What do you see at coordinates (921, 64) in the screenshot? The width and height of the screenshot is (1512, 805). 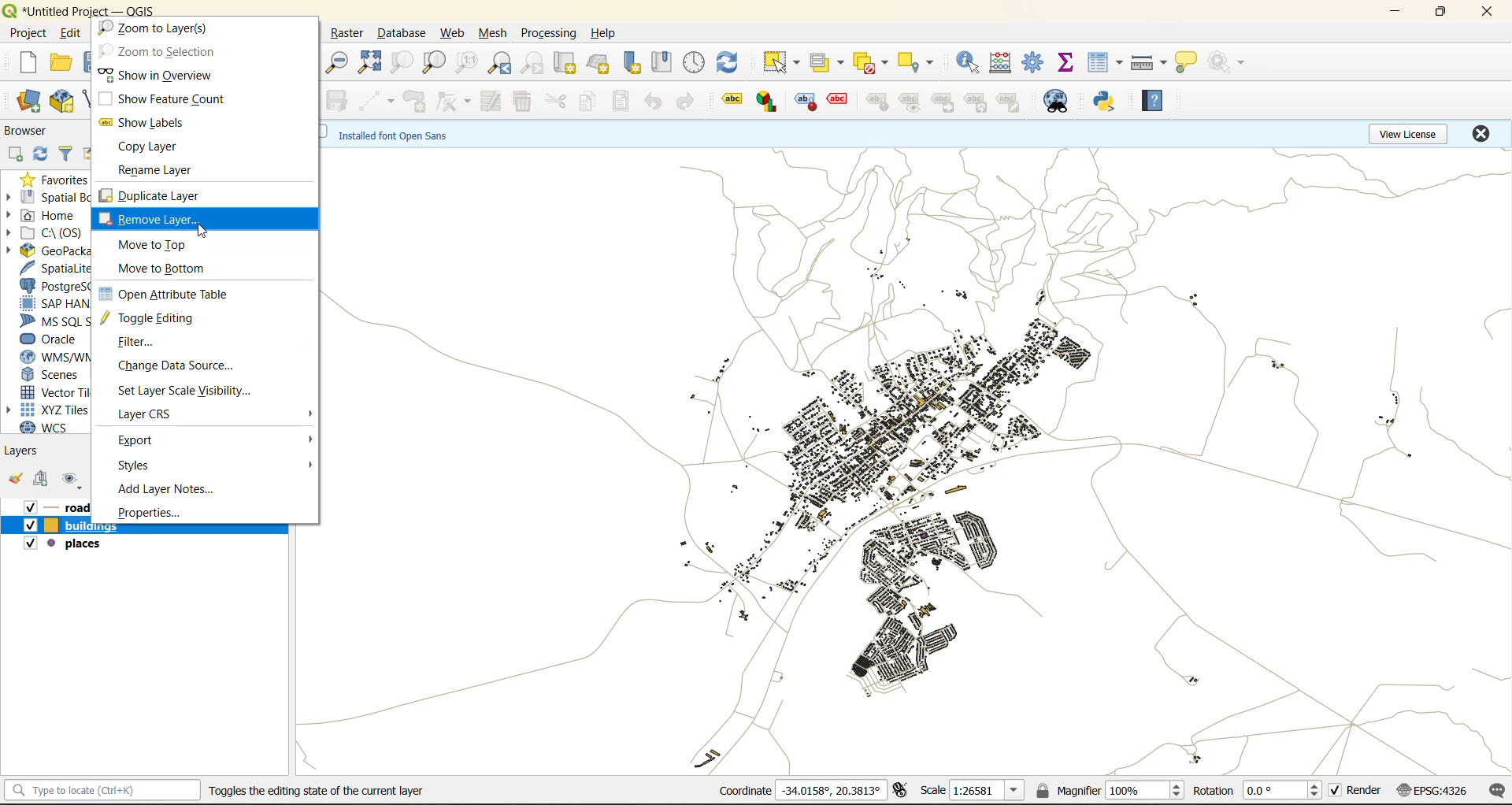 I see `select location` at bounding box center [921, 64].